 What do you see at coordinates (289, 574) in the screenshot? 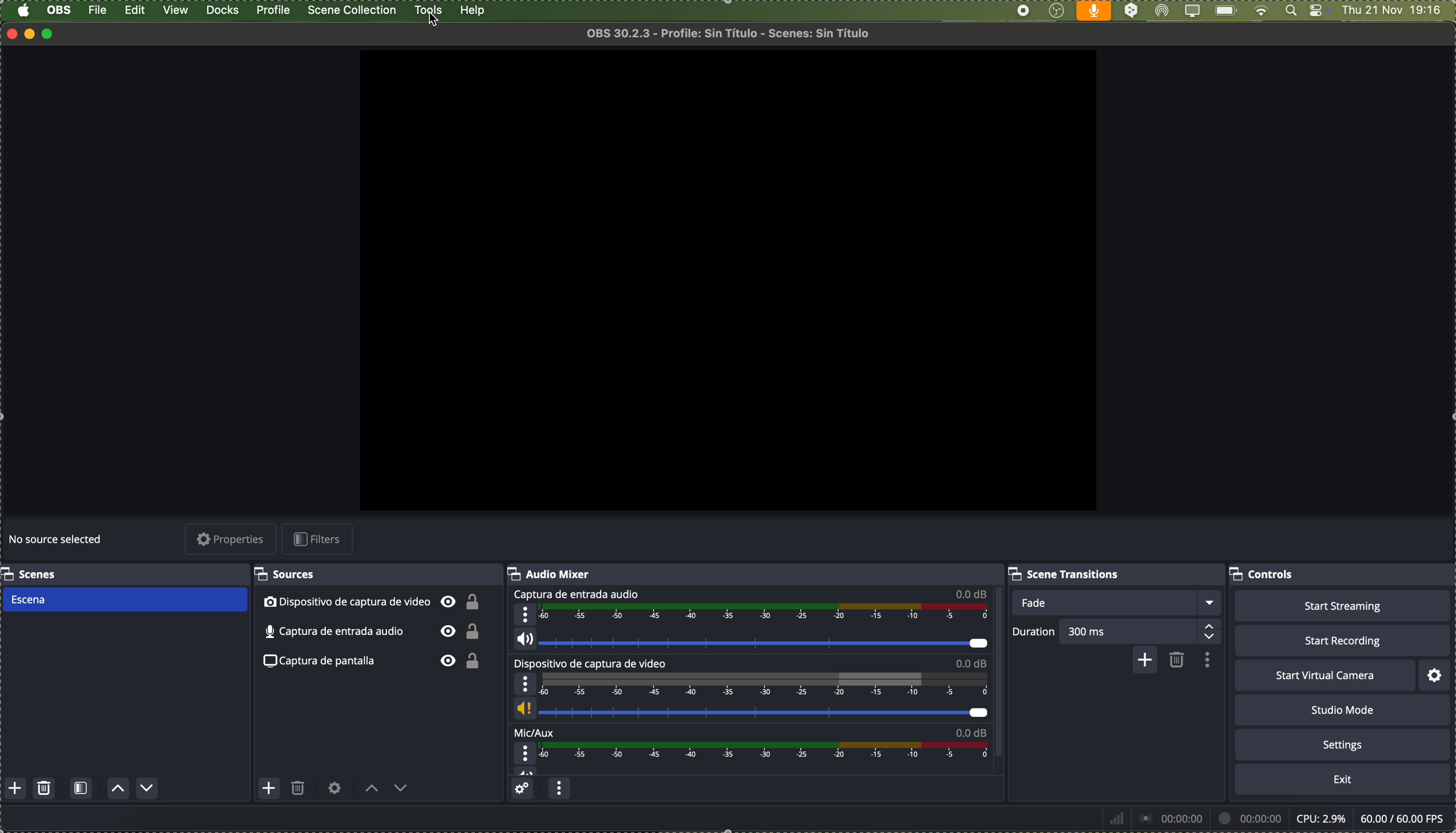
I see `sources` at bounding box center [289, 574].